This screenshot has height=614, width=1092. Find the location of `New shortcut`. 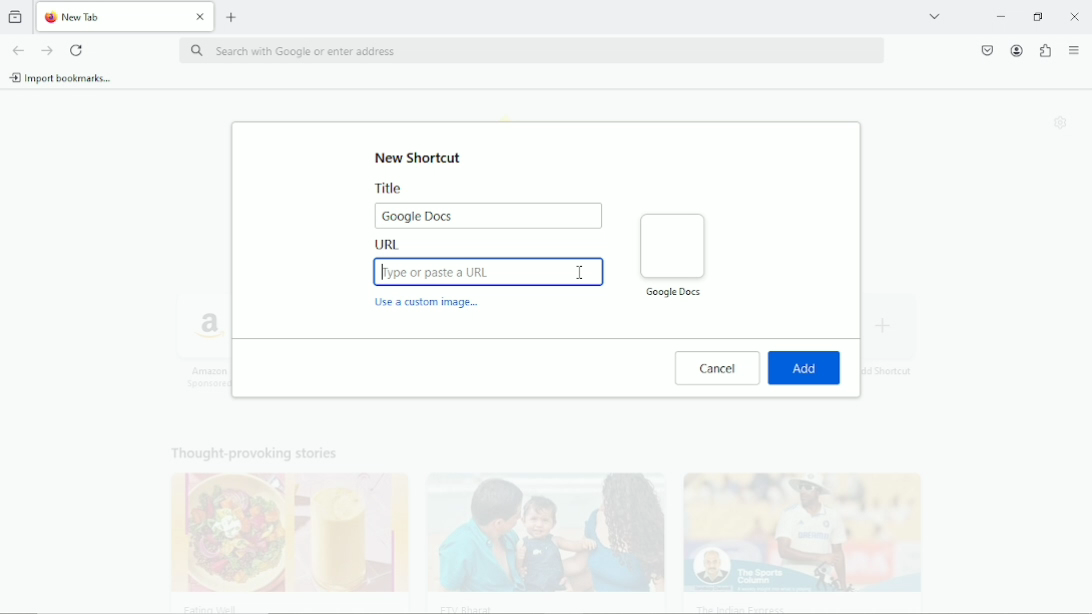

New shortcut is located at coordinates (421, 157).